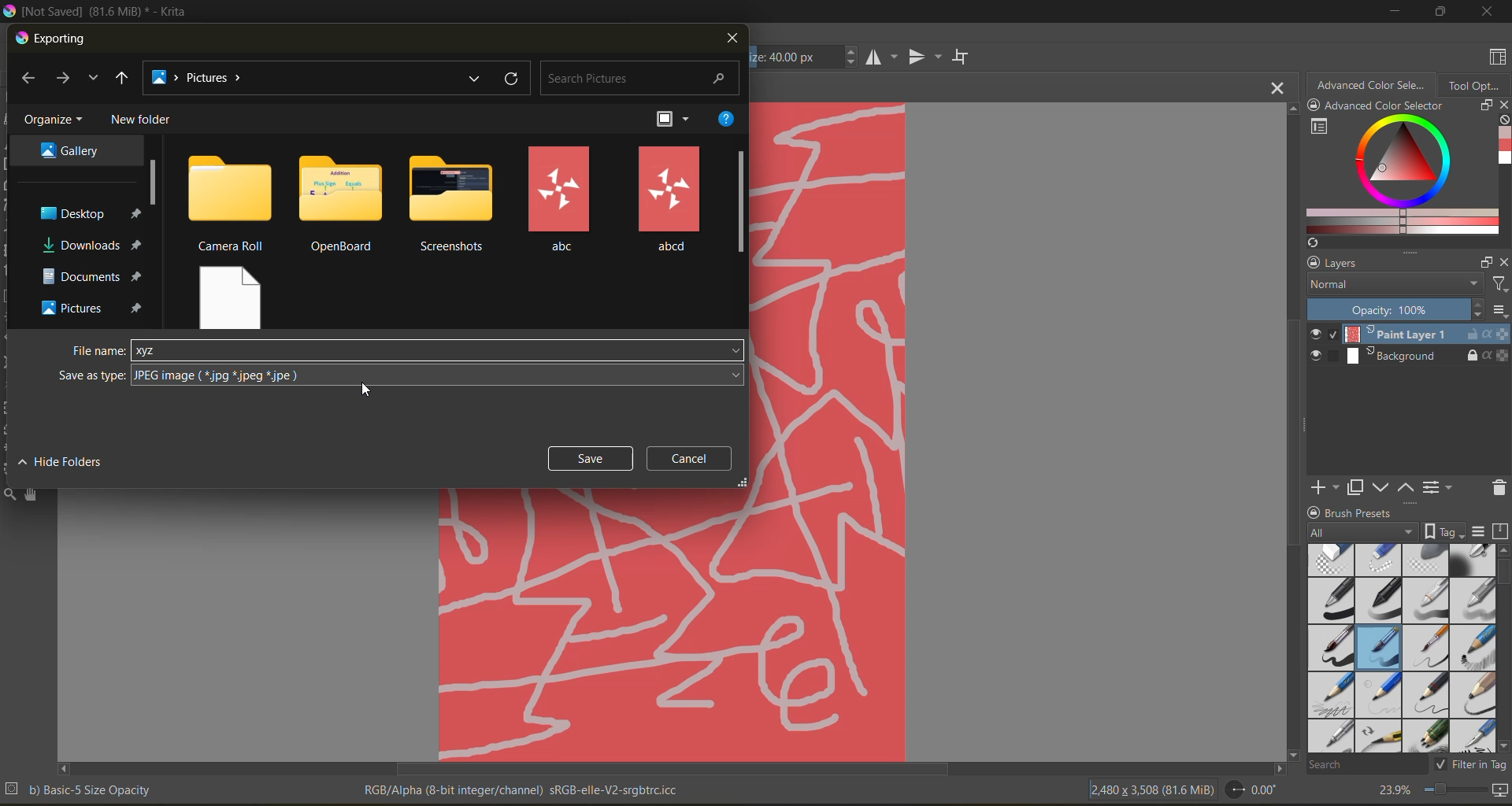  Describe the element at coordinates (1468, 763) in the screenshot. I see `filter tag` at that location.